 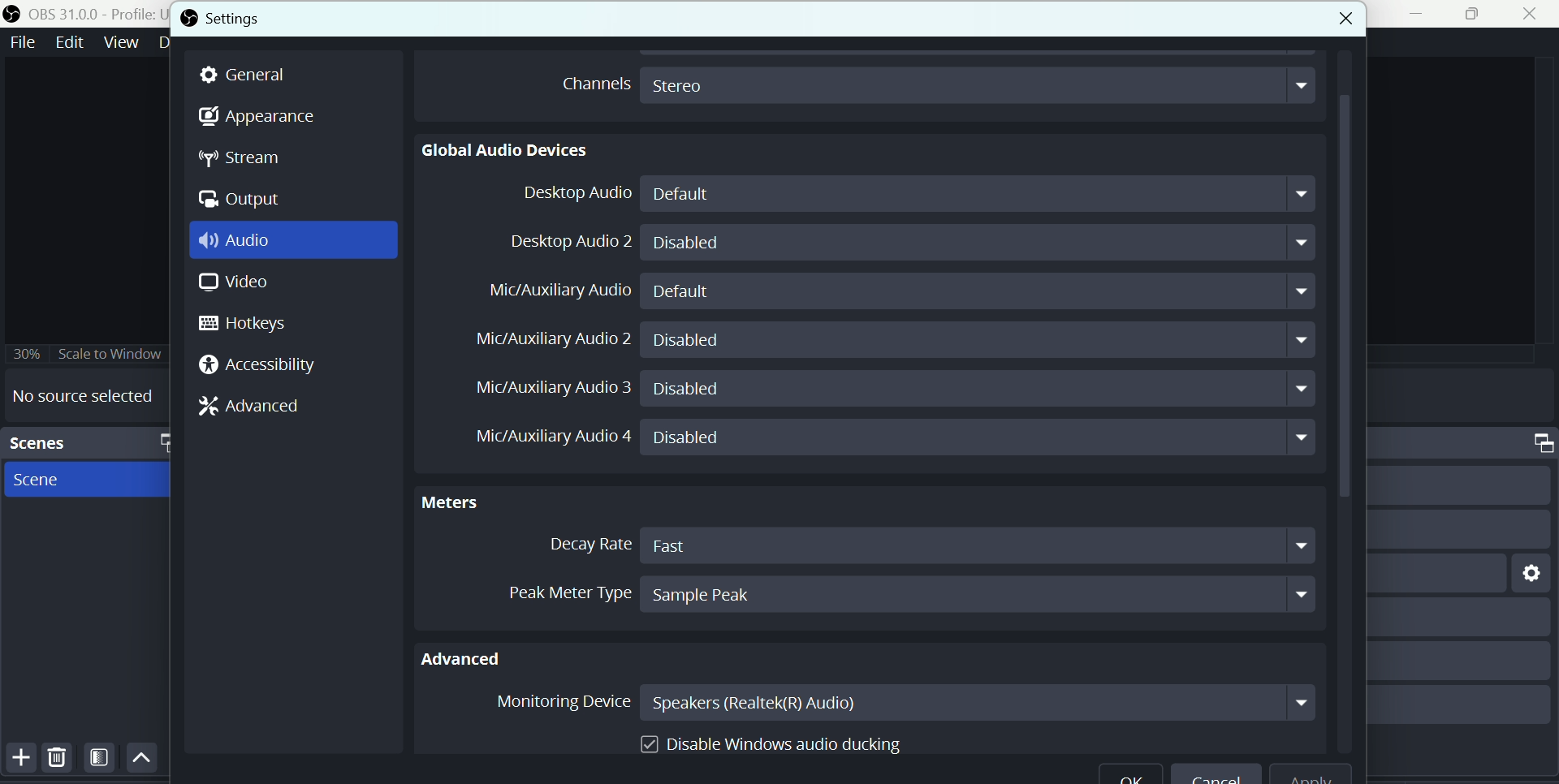 I want to click on Cancel, so click(x=1216, y=777).